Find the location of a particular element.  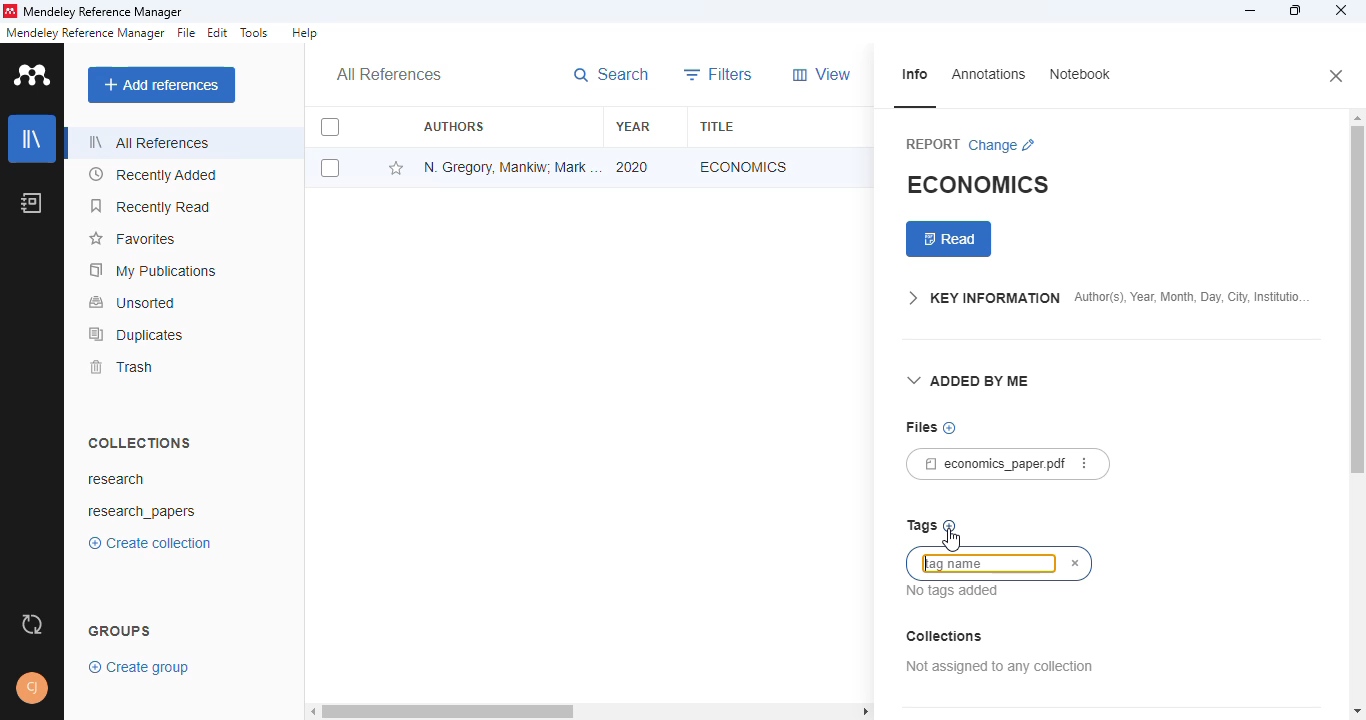

favorites is located at coordinates (131, 240).